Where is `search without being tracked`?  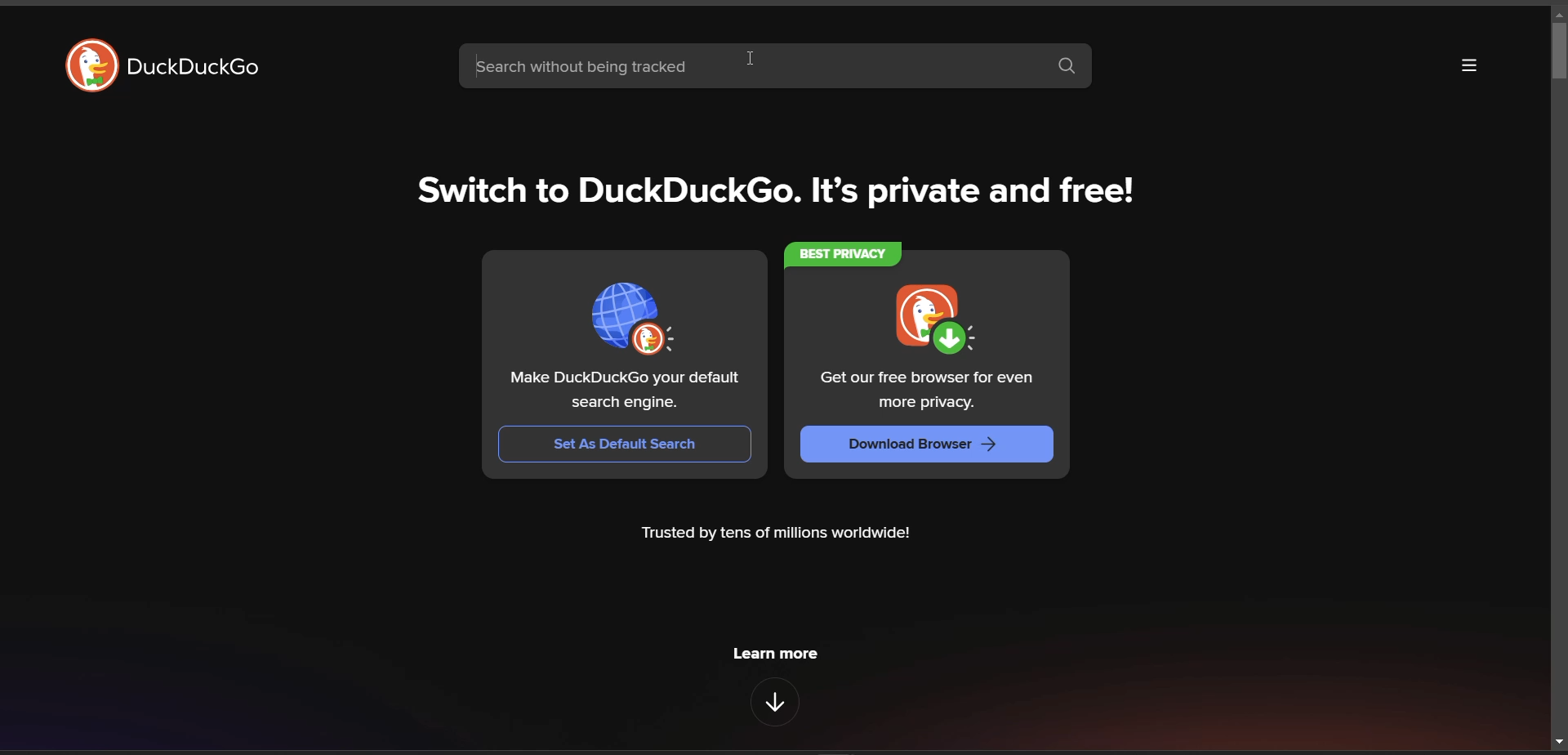
search without being tracked is located at coordinates (751, 65).